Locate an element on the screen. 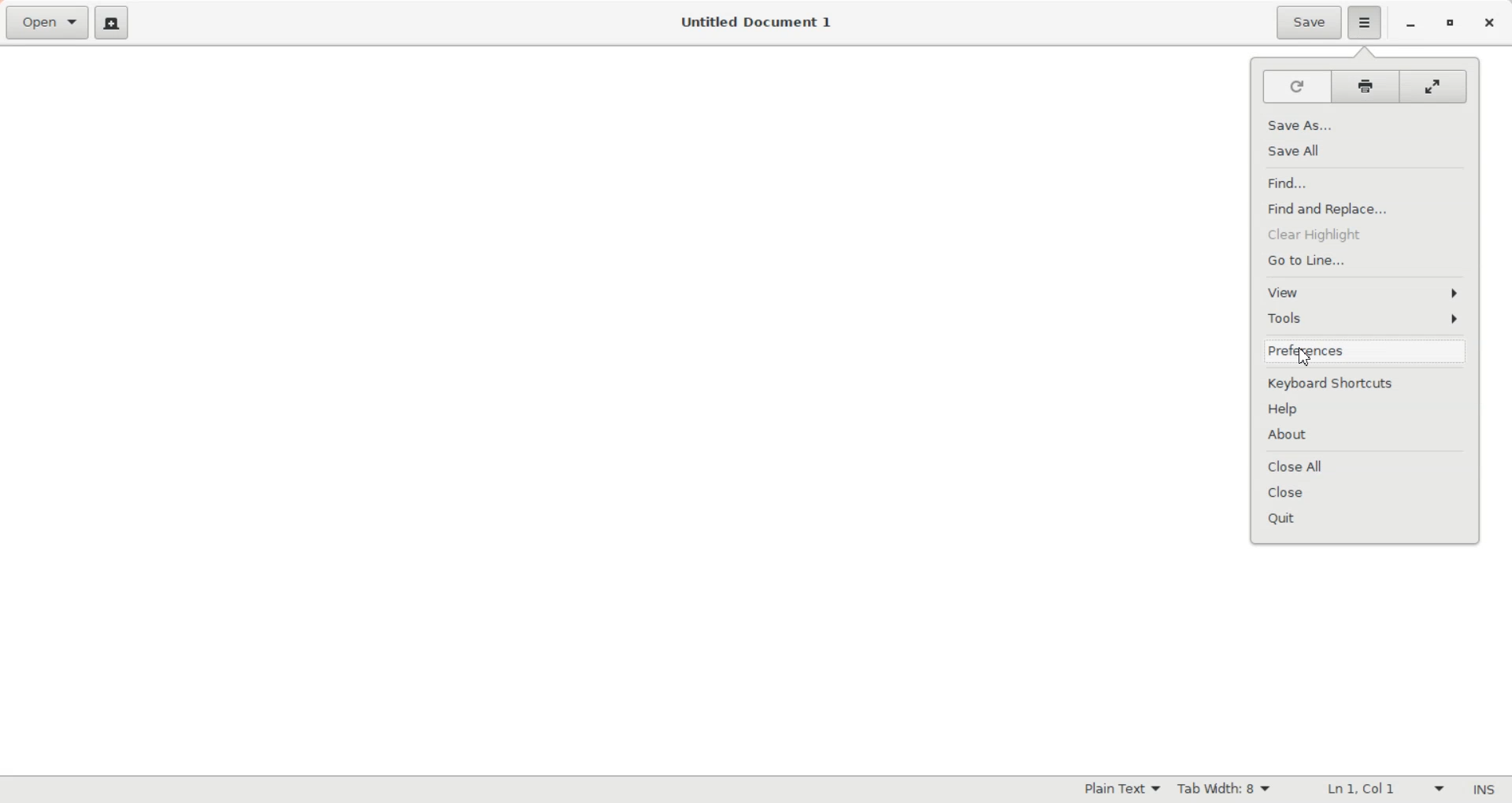 Image resolution: width=1512 pixels, height=803 pixels. Refresh is located at coordinates (1294, 87).